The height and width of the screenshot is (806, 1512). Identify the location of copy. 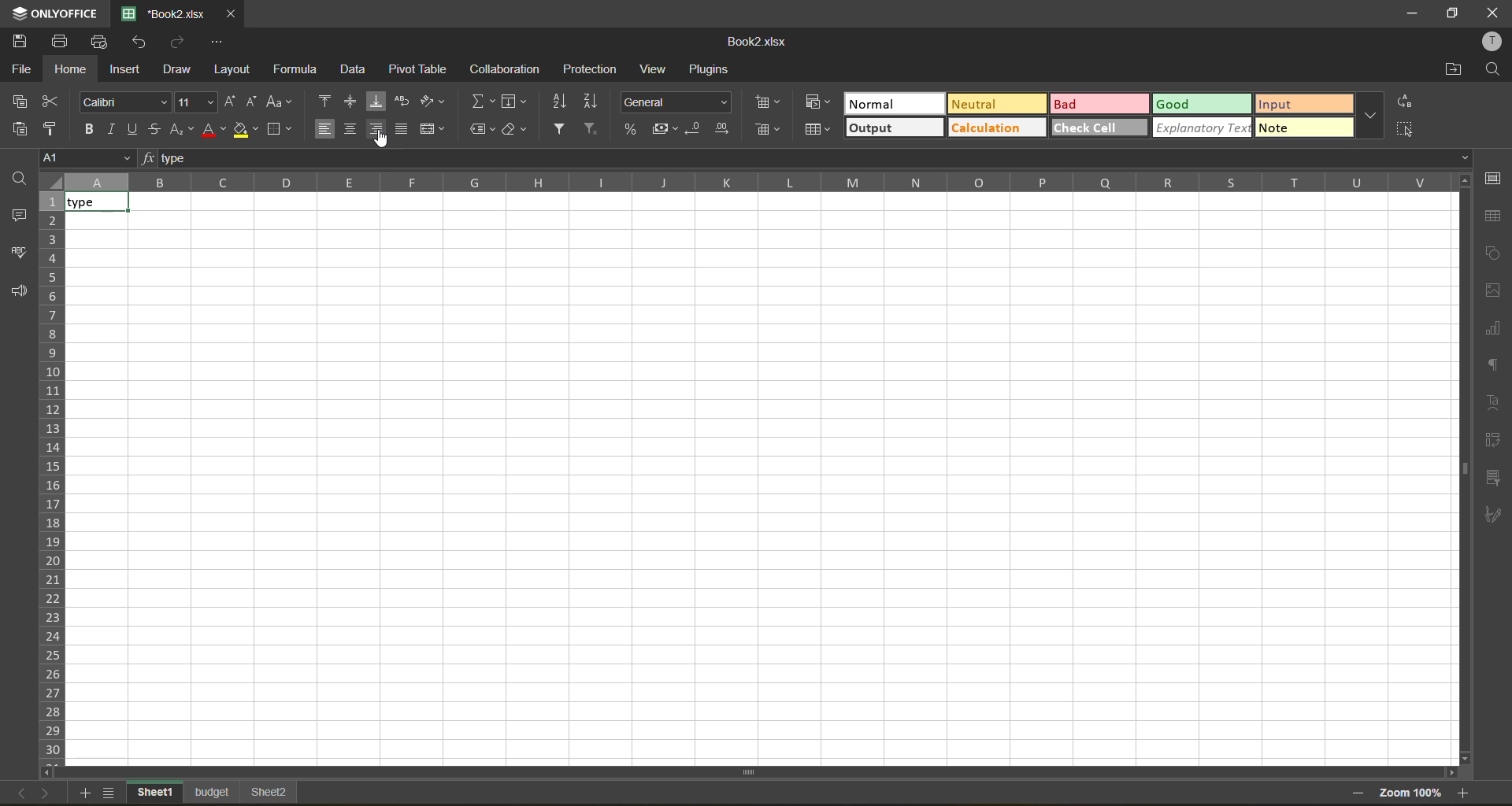
(24, 102).